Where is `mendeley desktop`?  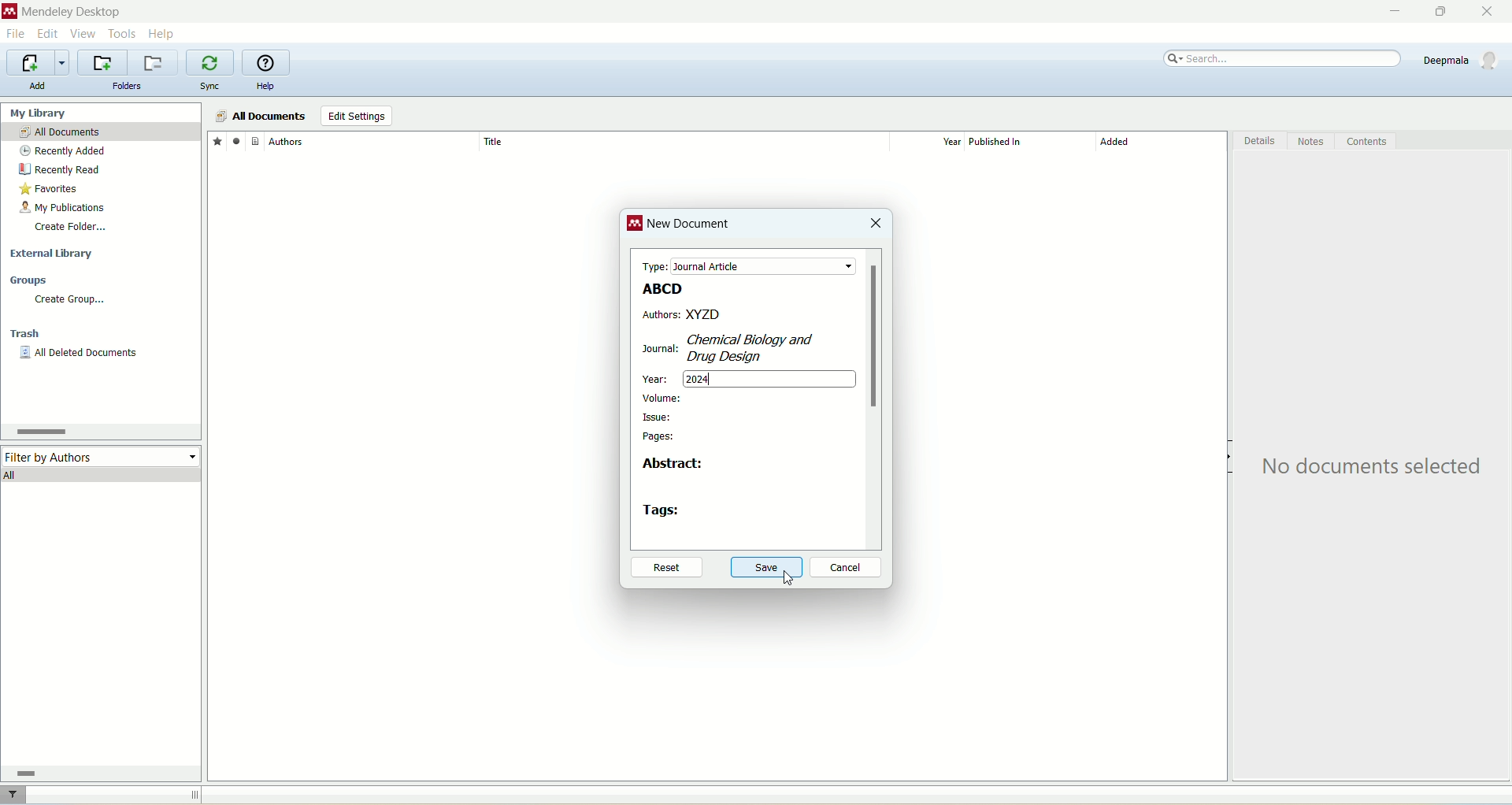 mendeley desktop is located at coordinates (69, 13).